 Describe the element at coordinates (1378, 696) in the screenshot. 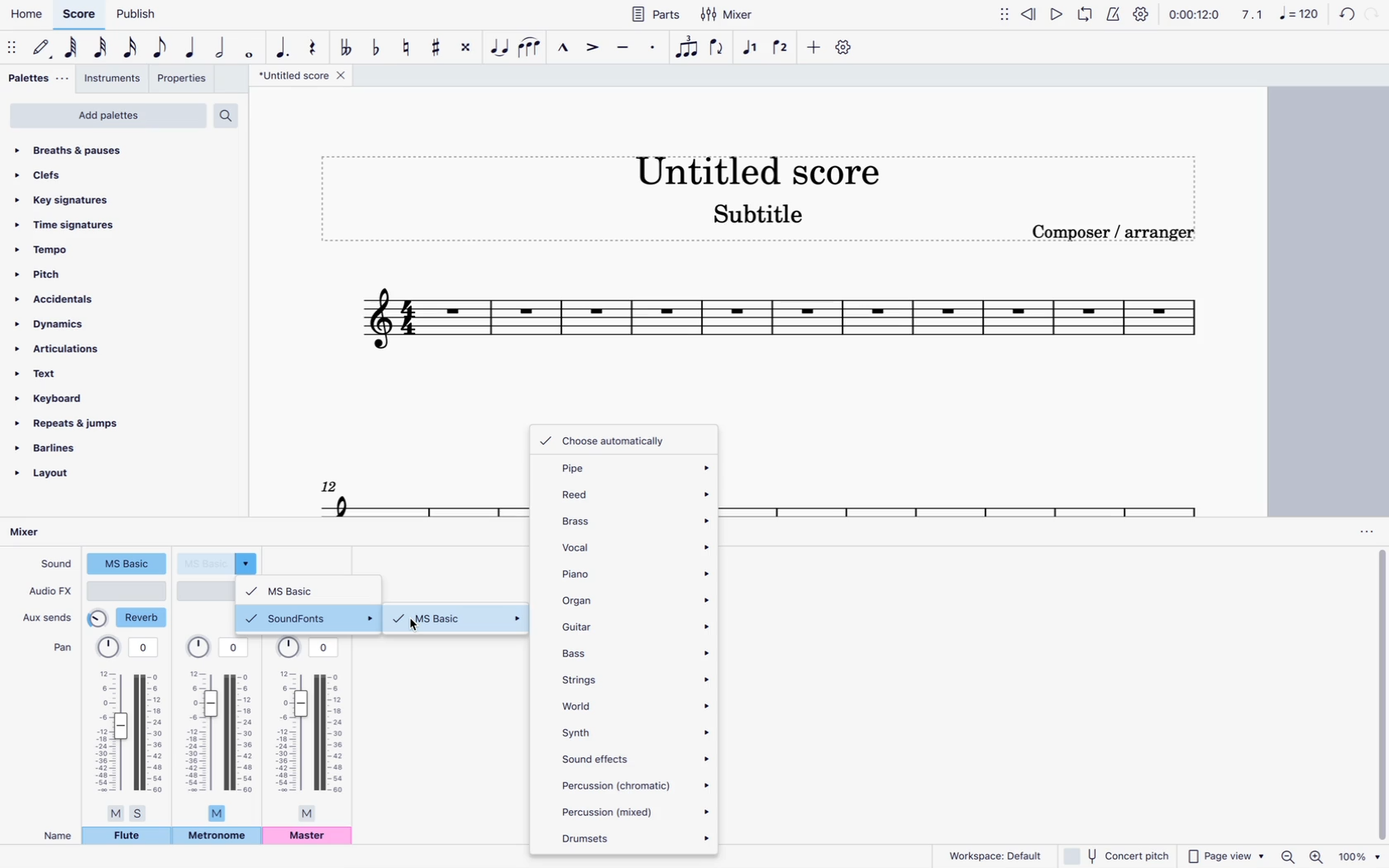

I see `vertical scrollbar` at that location.